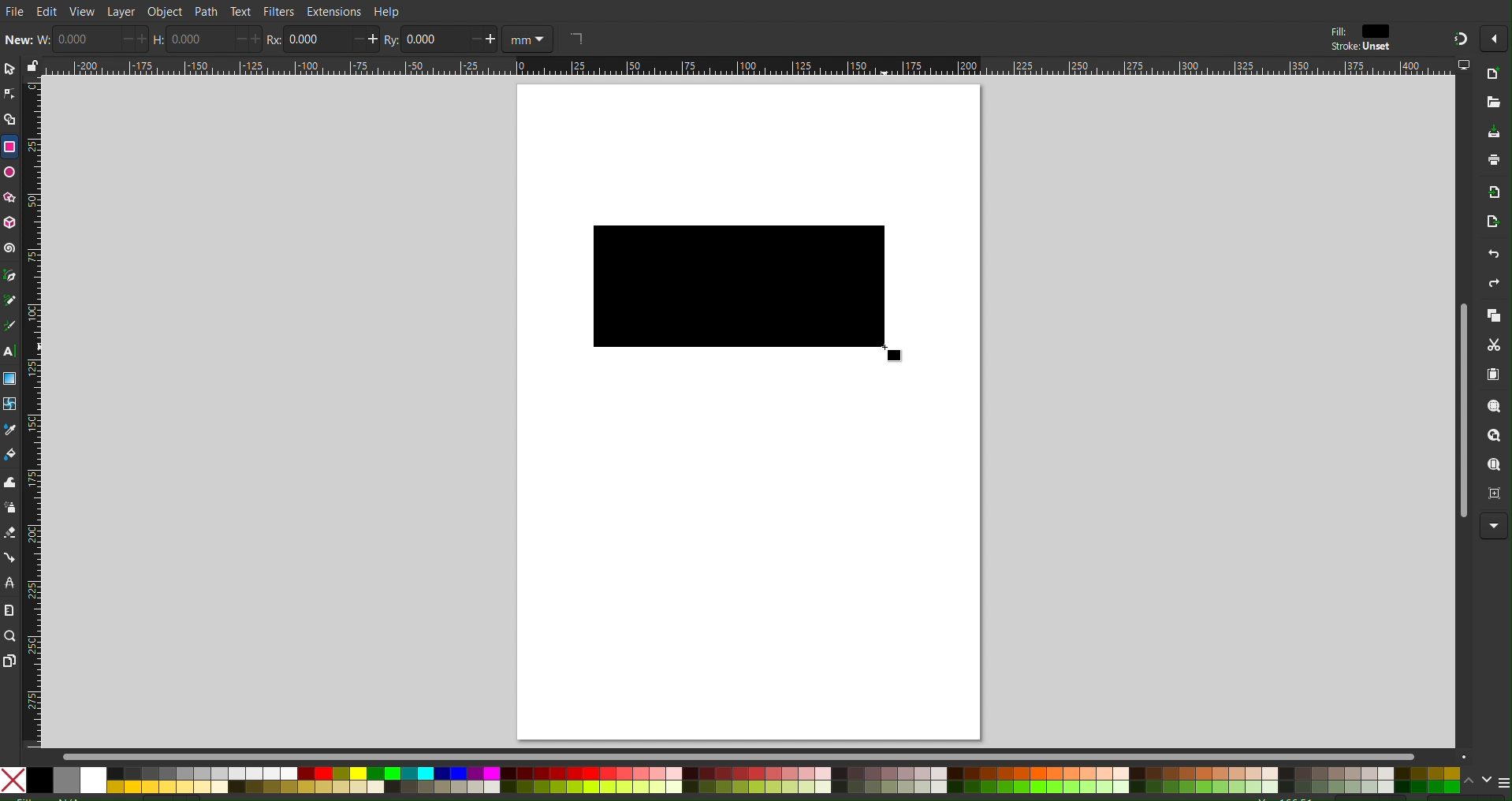  Describe the element at coordinates (1494, 495) in the screenshot. I see `Zoom Page Center` at that location.